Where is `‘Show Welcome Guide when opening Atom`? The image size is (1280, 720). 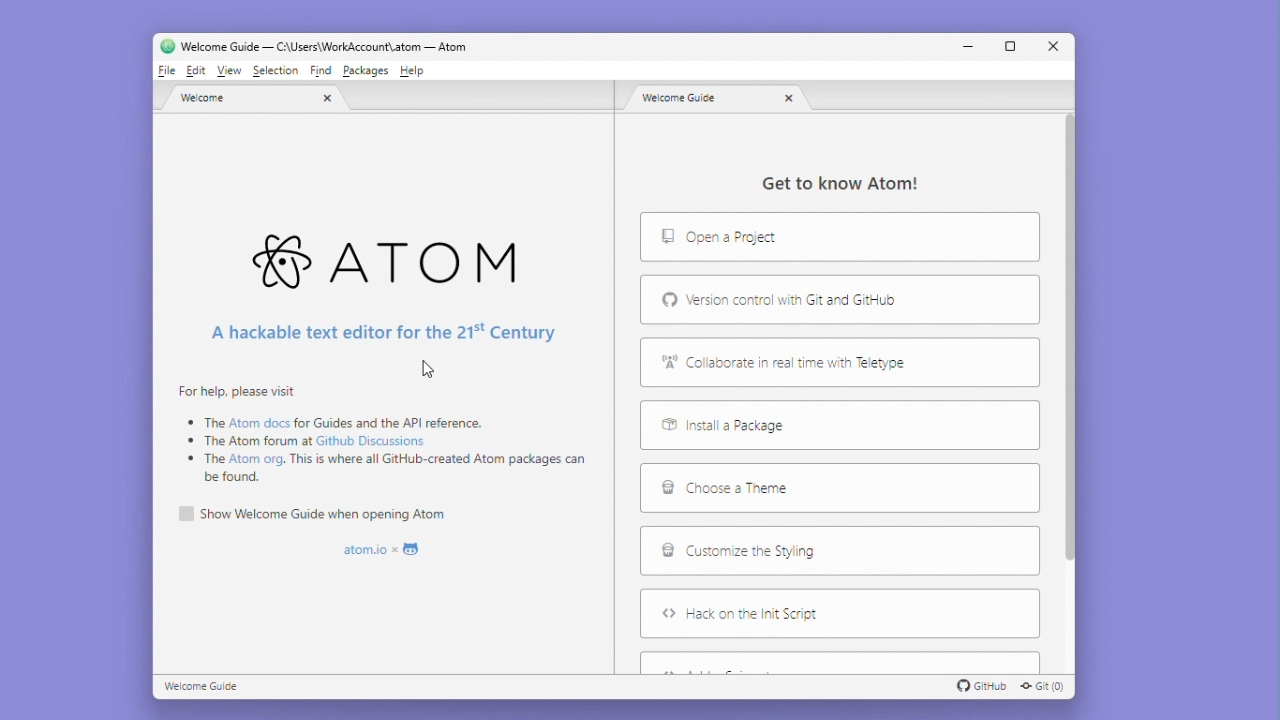 ‘Show Welcome Guide when opening Atom is located at coordinates (327, 514).